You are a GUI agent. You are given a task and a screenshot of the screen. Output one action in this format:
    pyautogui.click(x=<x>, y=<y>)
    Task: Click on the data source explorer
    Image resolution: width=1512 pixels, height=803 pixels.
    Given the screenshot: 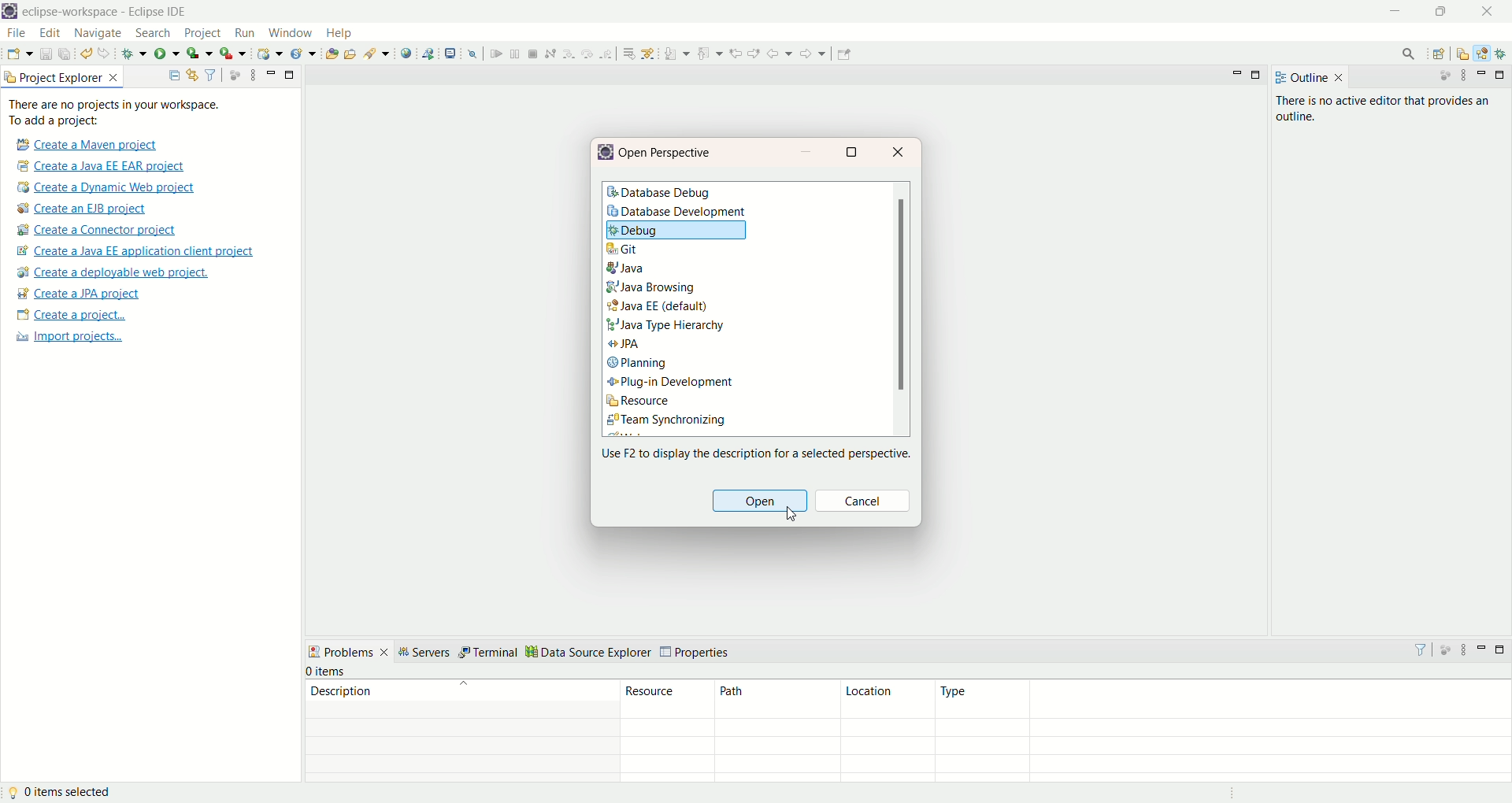 What is the action you would take?
    pyautogui.click(x=590, y=651)
    